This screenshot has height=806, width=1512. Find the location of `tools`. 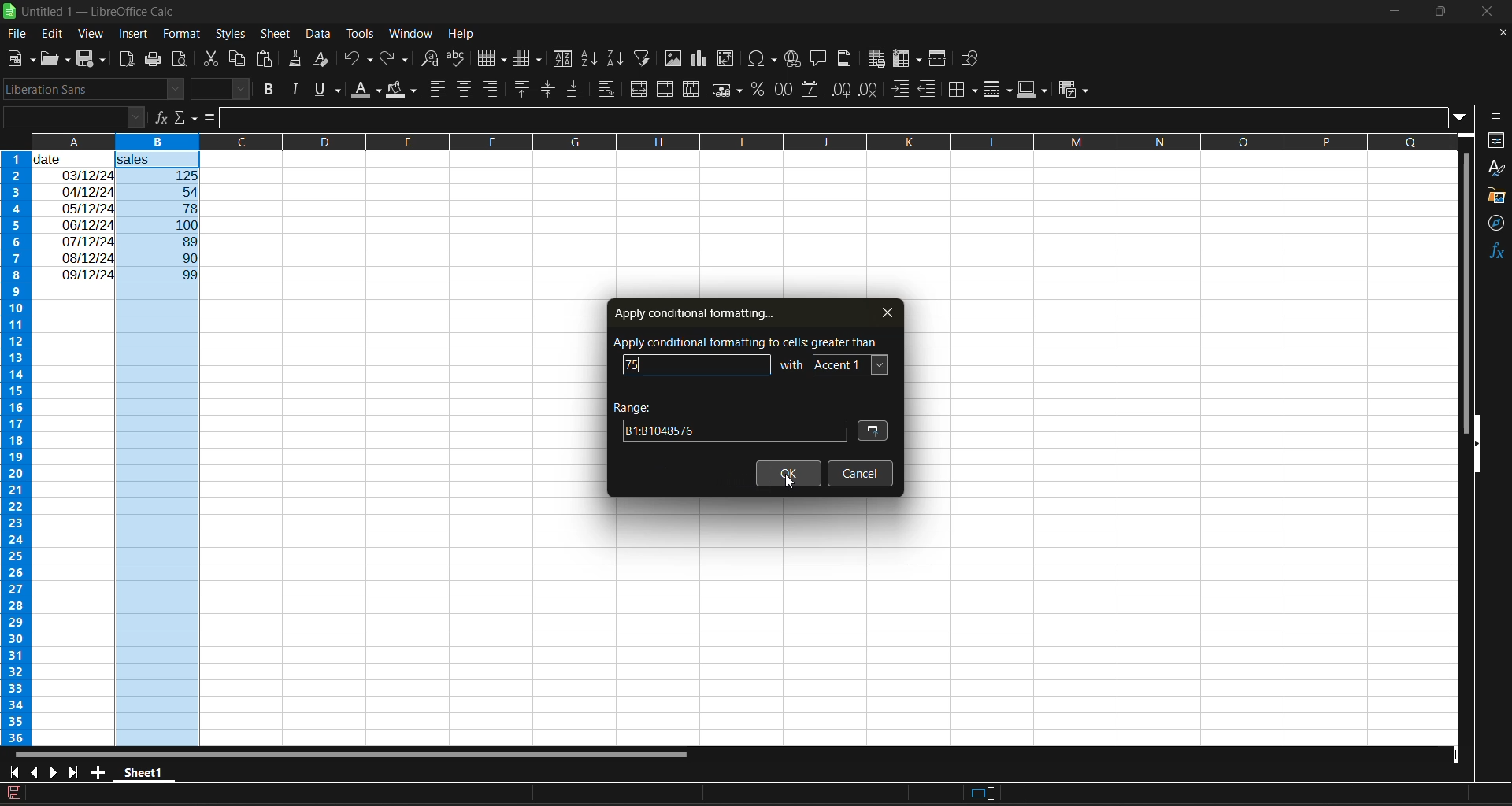

tools is located at coordinates (359, 33).